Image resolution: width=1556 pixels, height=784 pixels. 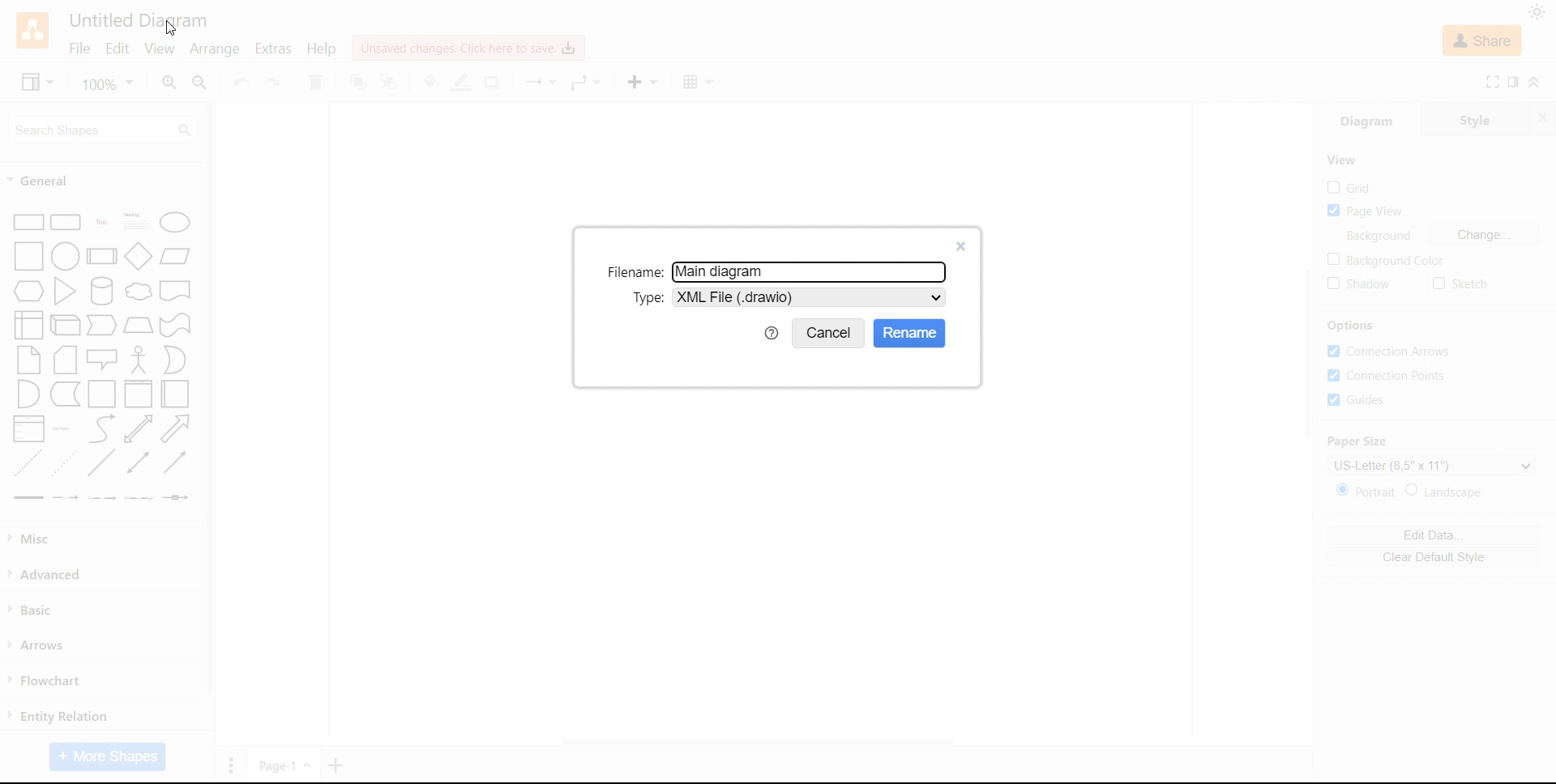 I want to click on Undo , so click(x=240, y=83).